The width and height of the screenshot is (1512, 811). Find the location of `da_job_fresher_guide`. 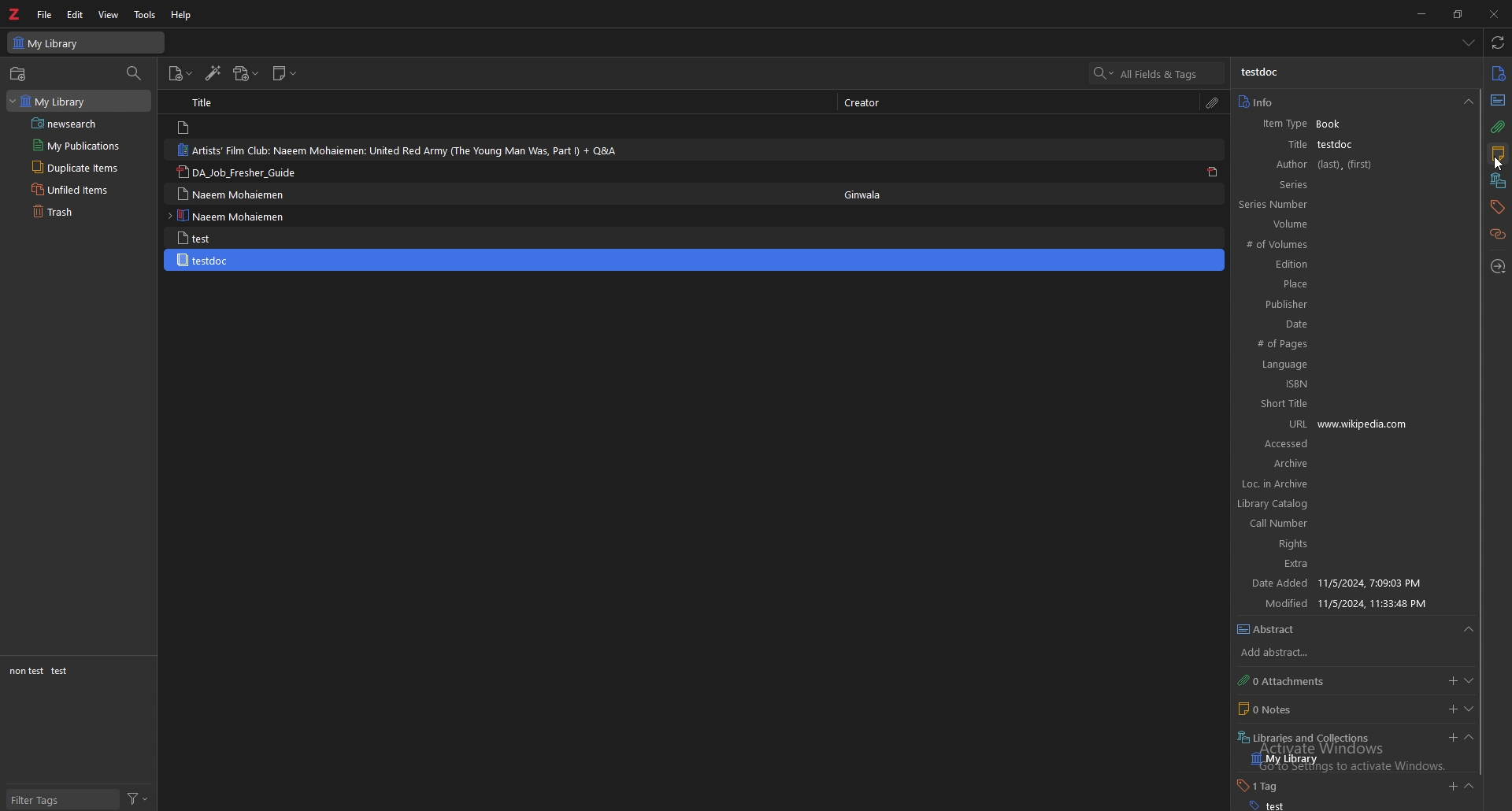

da_job_fresher_guide is located at coordinates (238, 172).